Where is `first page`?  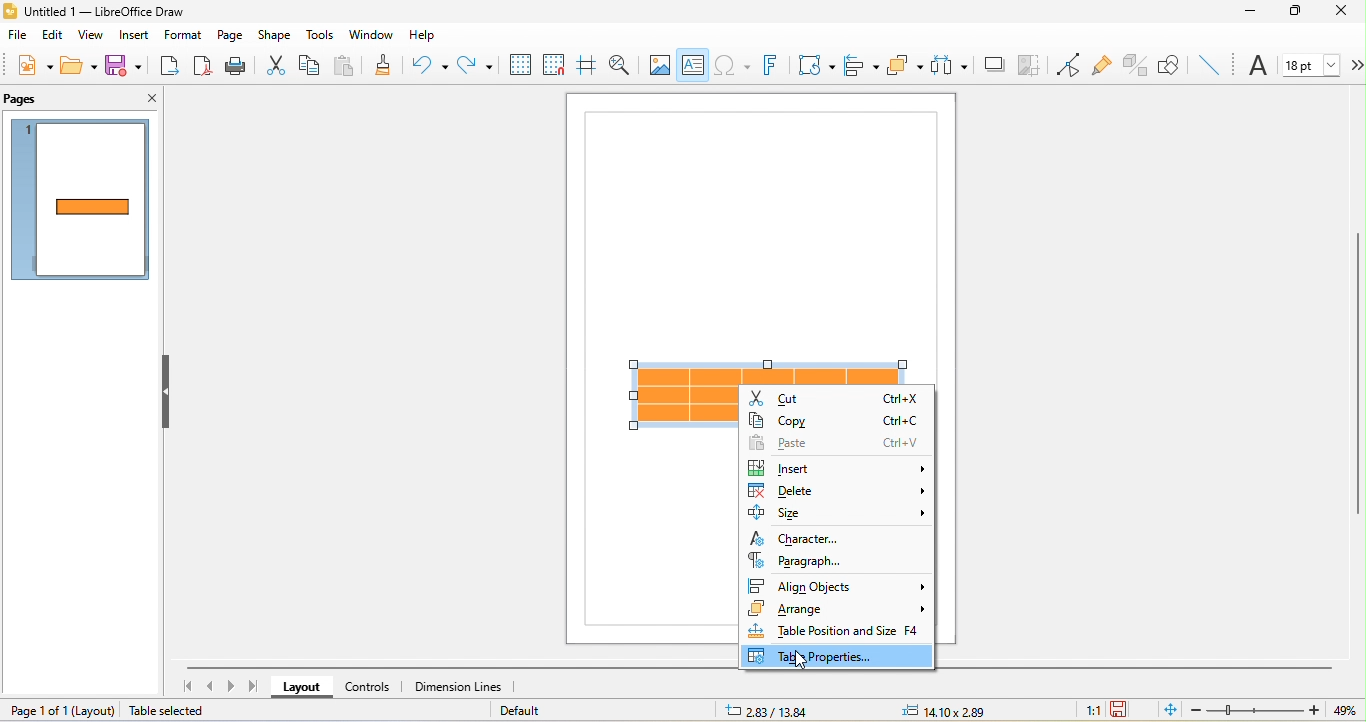
first page is located at coordinates (187, 687).